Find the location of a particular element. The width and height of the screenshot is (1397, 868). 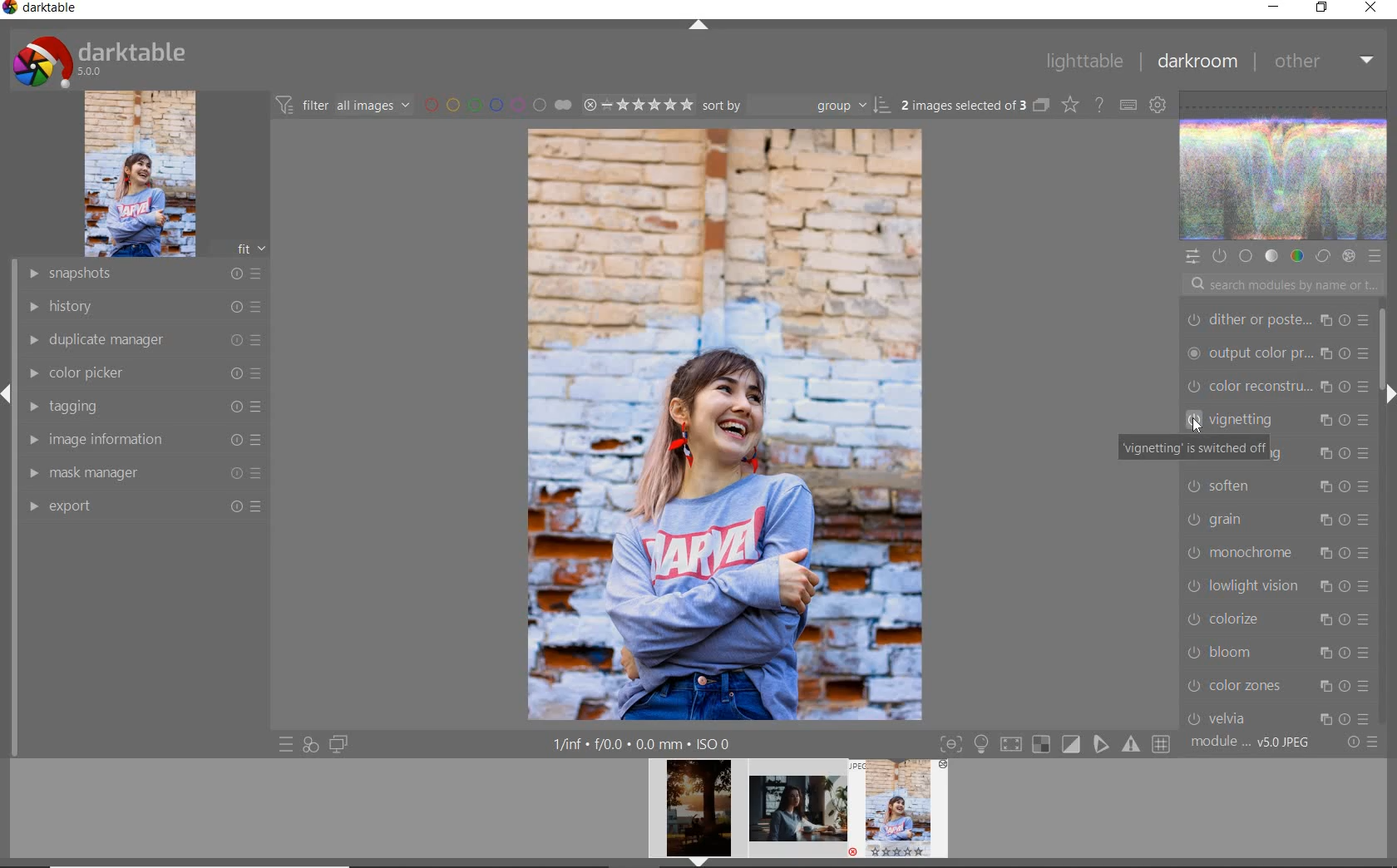

search modules is located at coordinates (1279, 287).